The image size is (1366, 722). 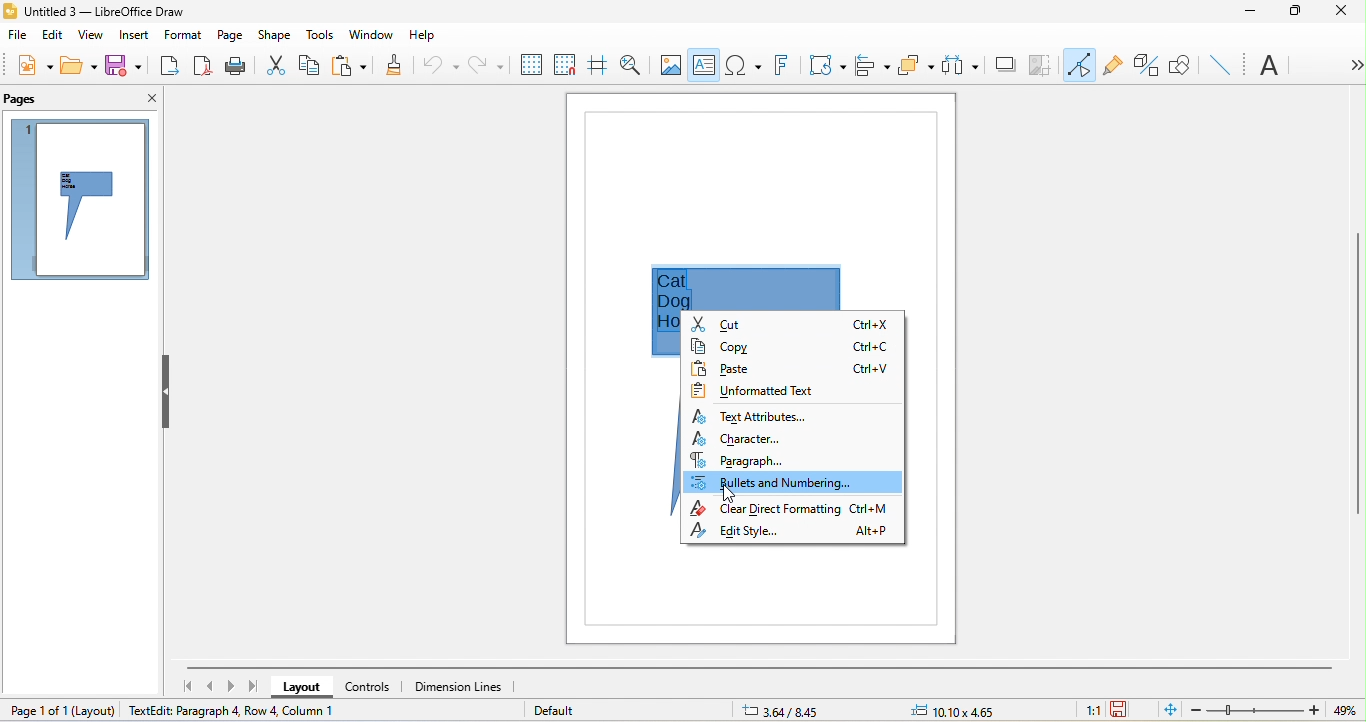 I want to click on format, so click(x=181, y=37).